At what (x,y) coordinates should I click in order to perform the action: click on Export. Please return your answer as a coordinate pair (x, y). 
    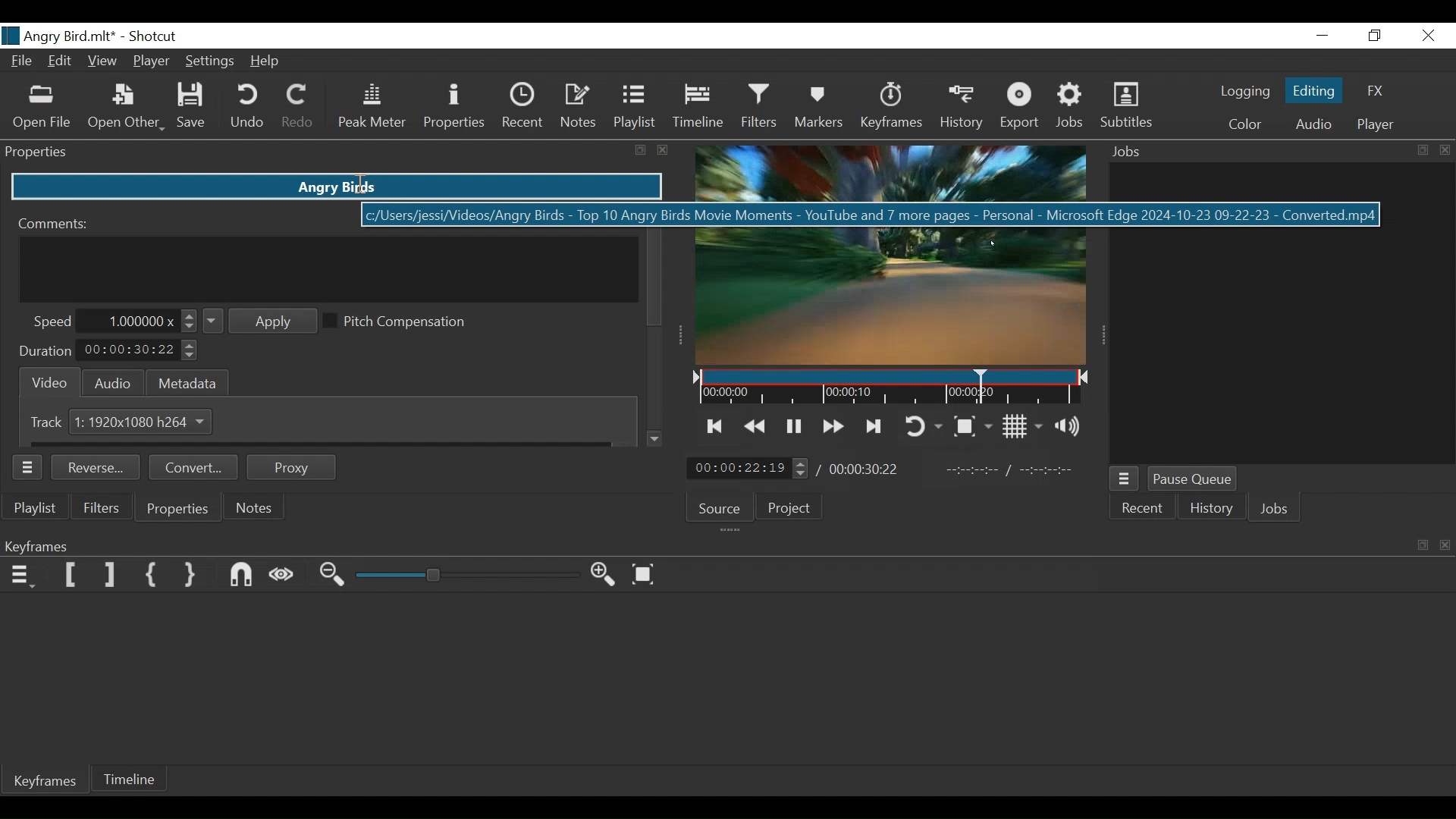
    Looking at the image, I should click on (1018, 108).